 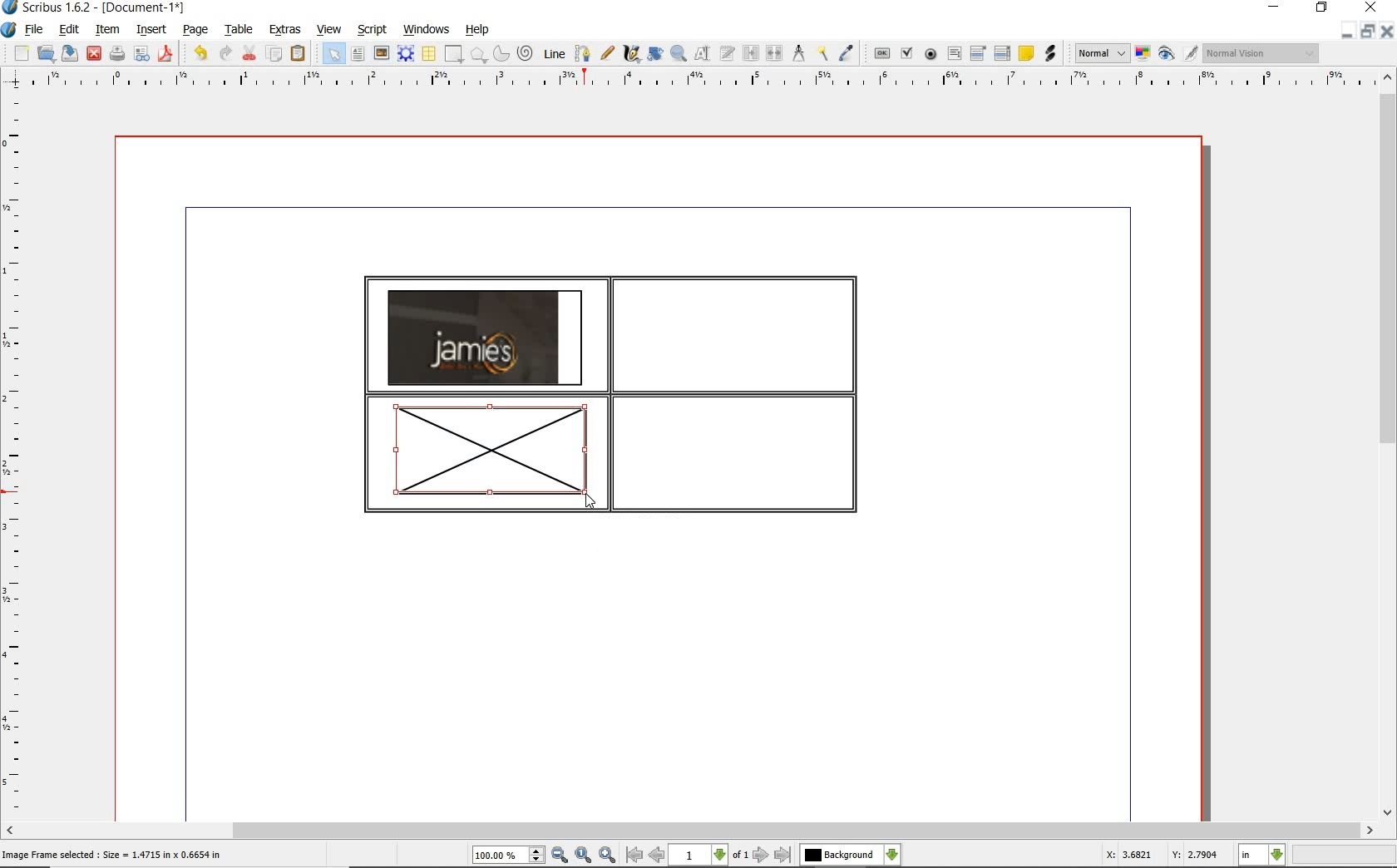 I want to click on text frame, so click(x=358, y=56).